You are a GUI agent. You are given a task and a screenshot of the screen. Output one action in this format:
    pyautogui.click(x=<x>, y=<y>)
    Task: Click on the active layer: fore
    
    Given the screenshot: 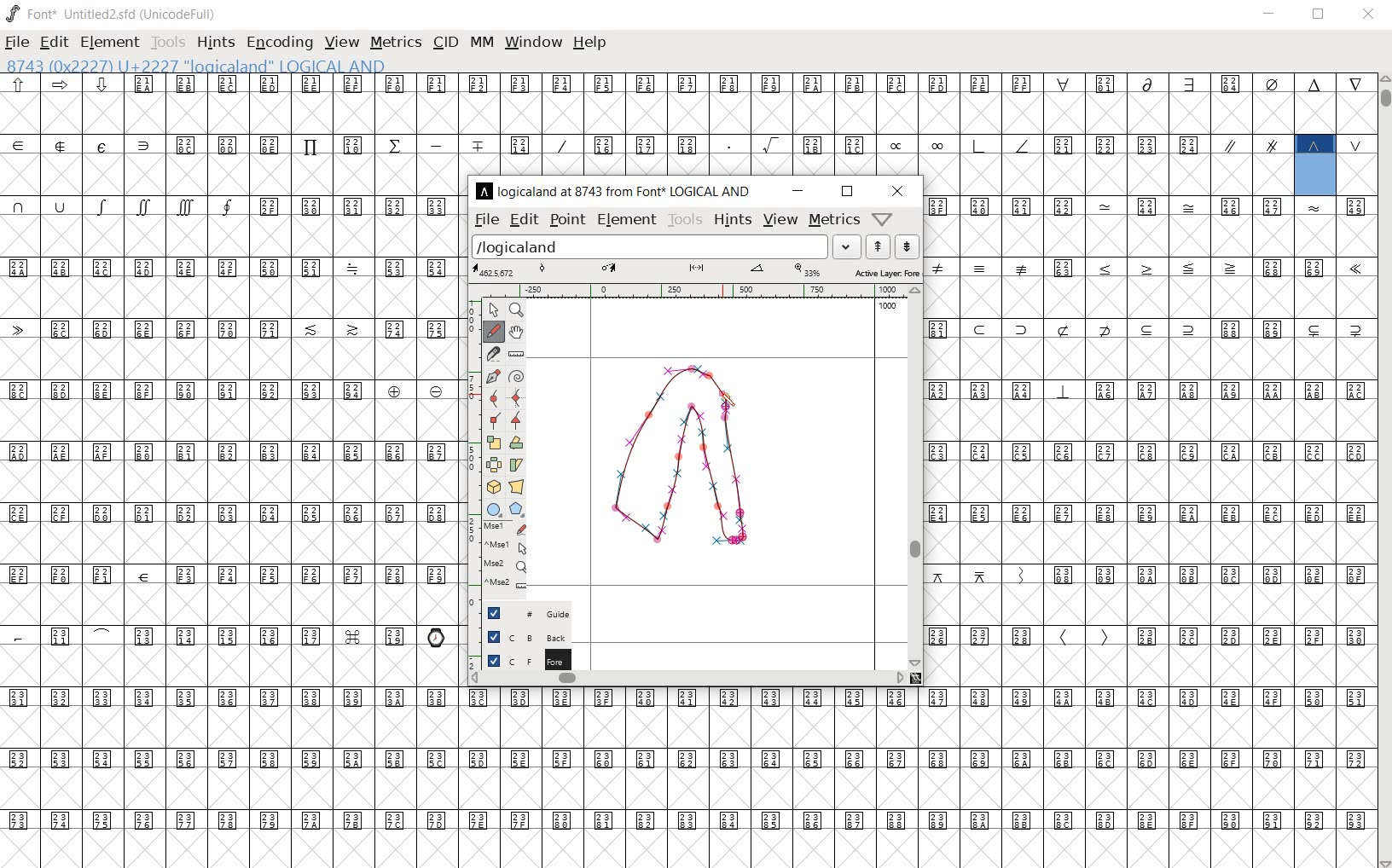 What is the action you would take?
    pyautogui.click(x=697, y=270)
    